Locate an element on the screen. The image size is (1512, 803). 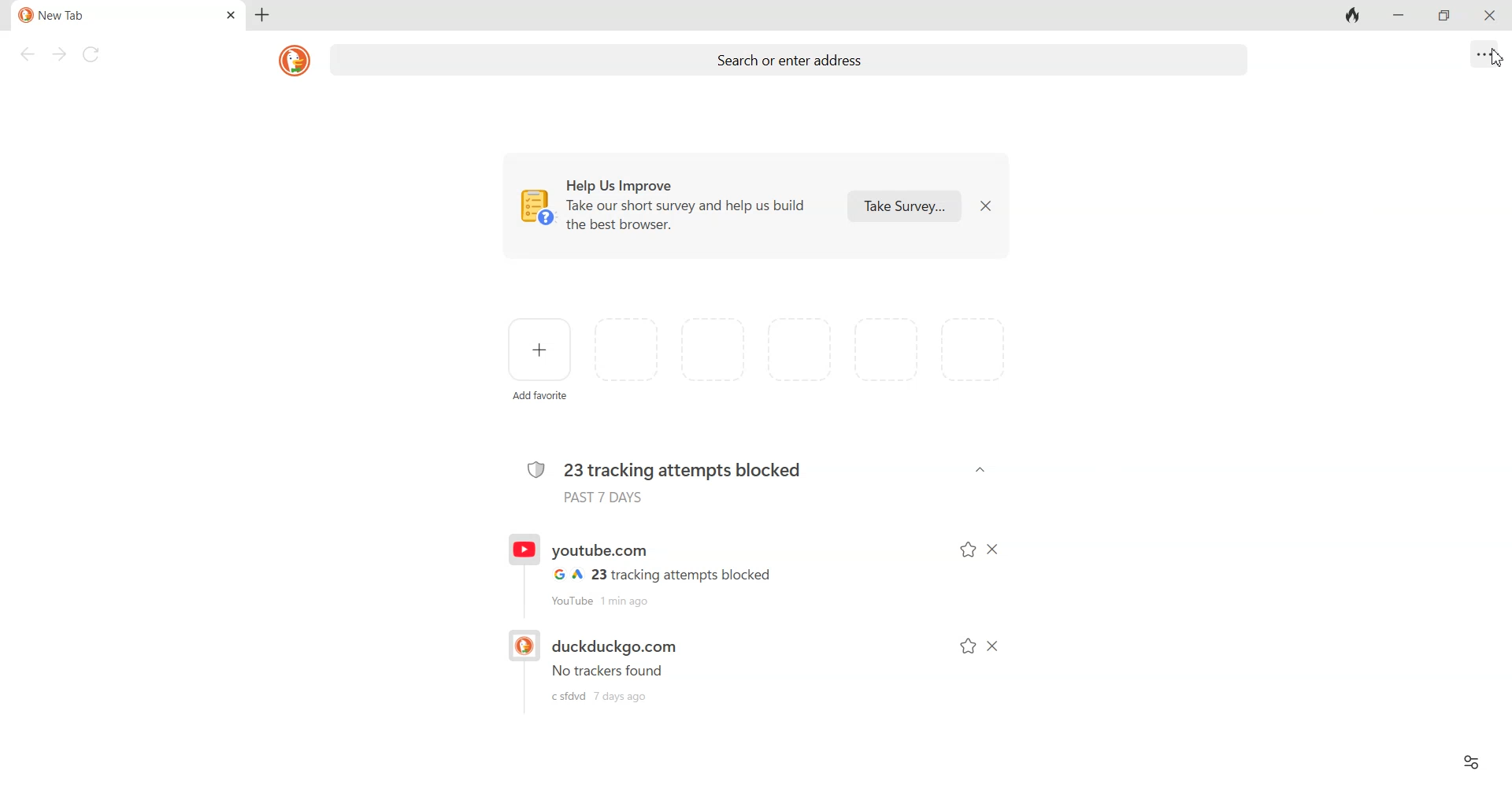
Recent History is located at coordinates (660, 570).